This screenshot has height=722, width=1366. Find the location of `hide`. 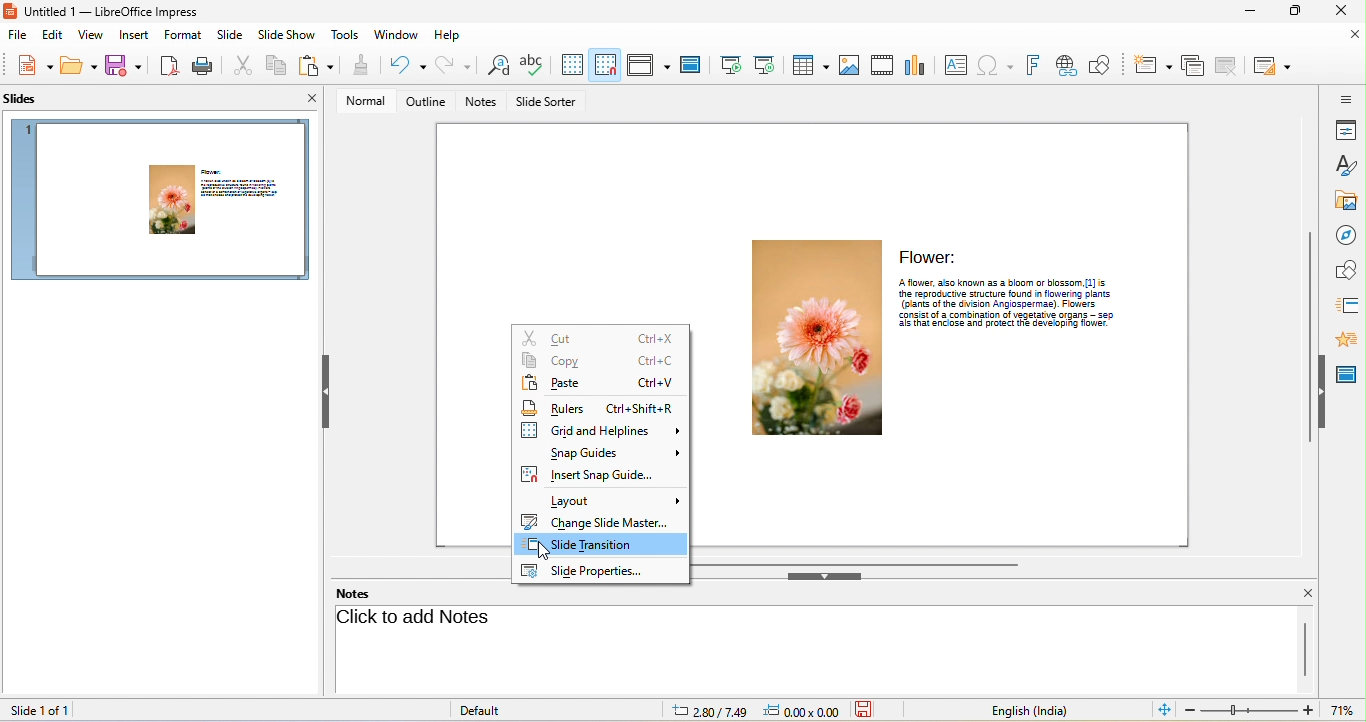

hide is located at coordinates (1325, 392).